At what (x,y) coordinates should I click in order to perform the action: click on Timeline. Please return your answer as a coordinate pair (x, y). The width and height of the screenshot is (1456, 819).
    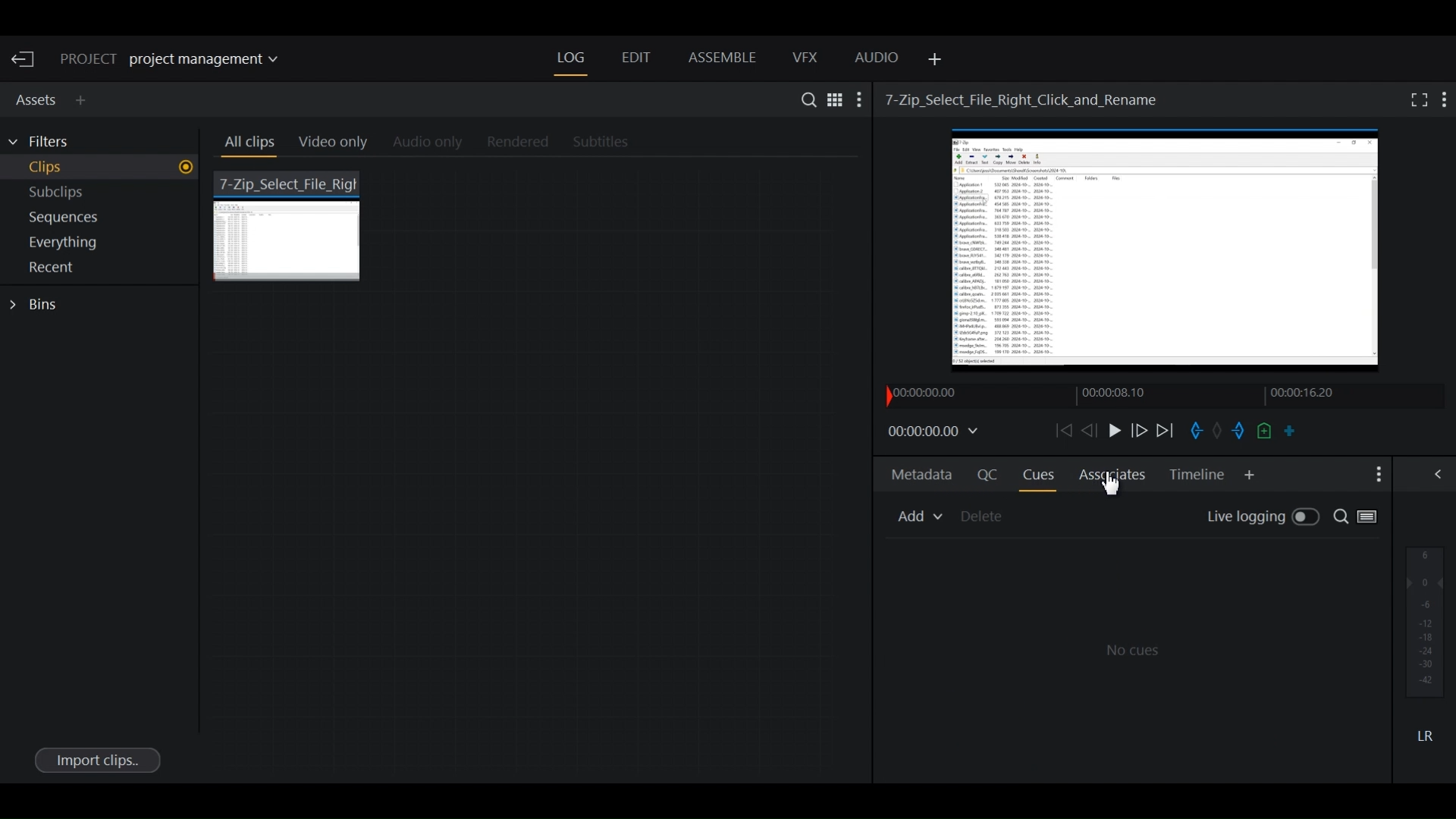
    Looking at the image, I should click on (1197, 475).